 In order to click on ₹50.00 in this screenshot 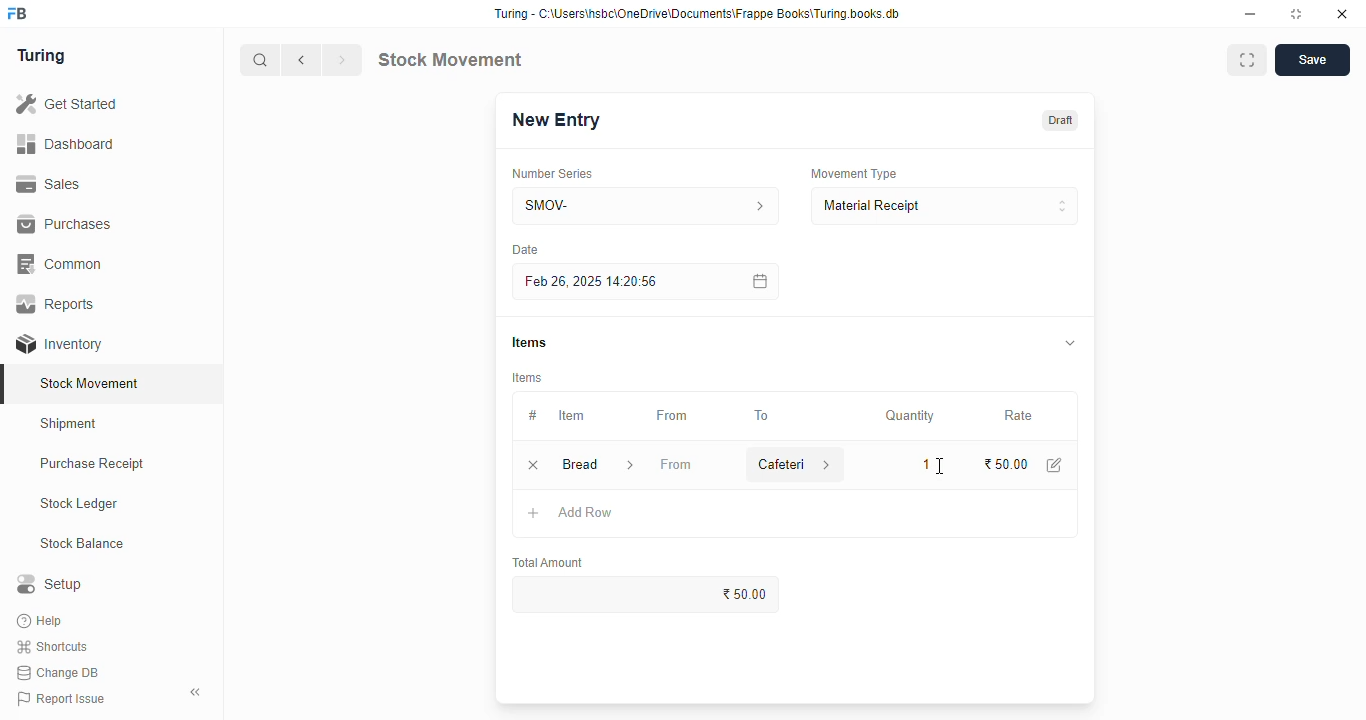, I will do `click(647, 594)`.